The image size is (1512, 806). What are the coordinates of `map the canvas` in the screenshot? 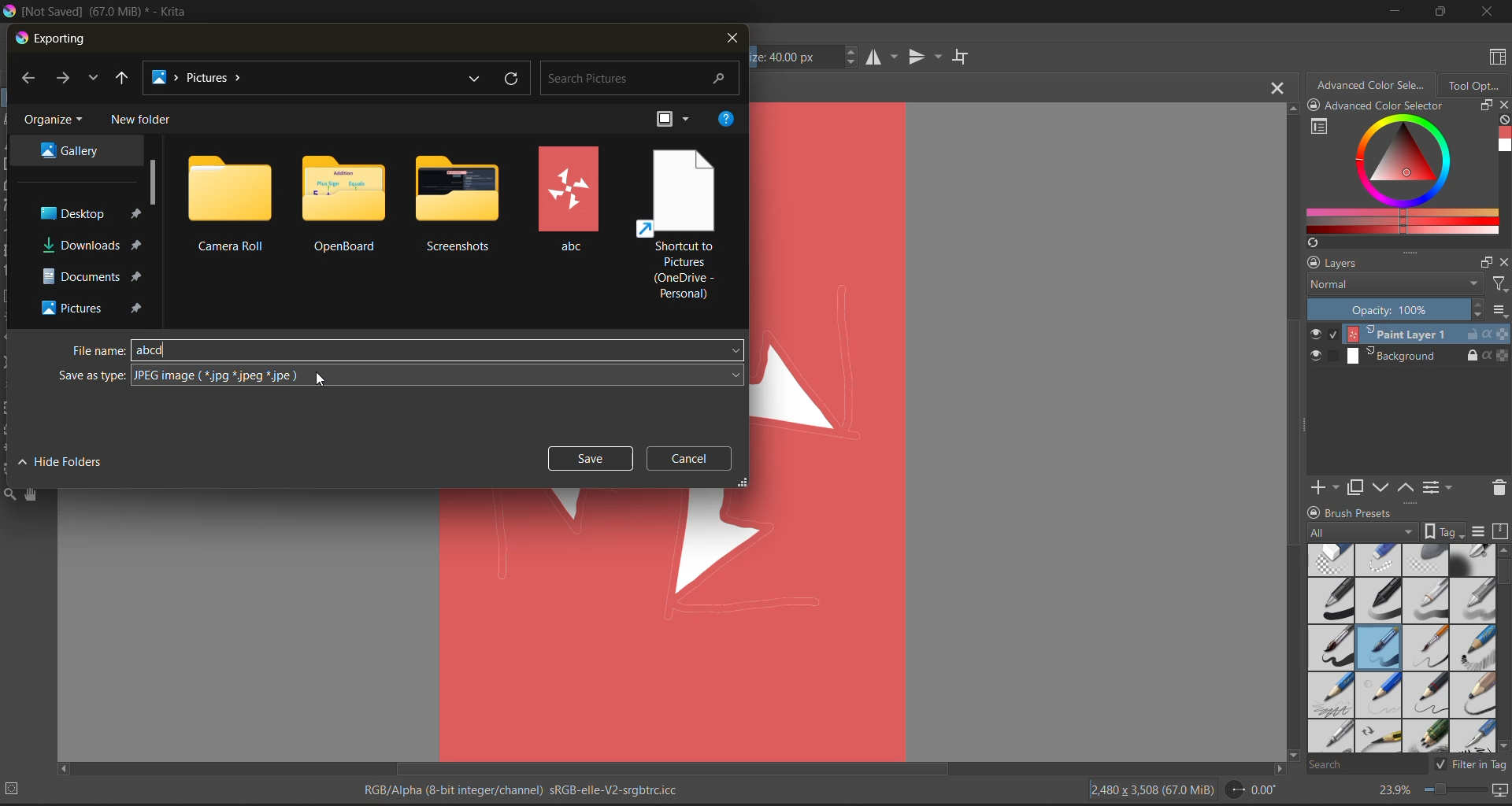 It's located at (1499, 792).